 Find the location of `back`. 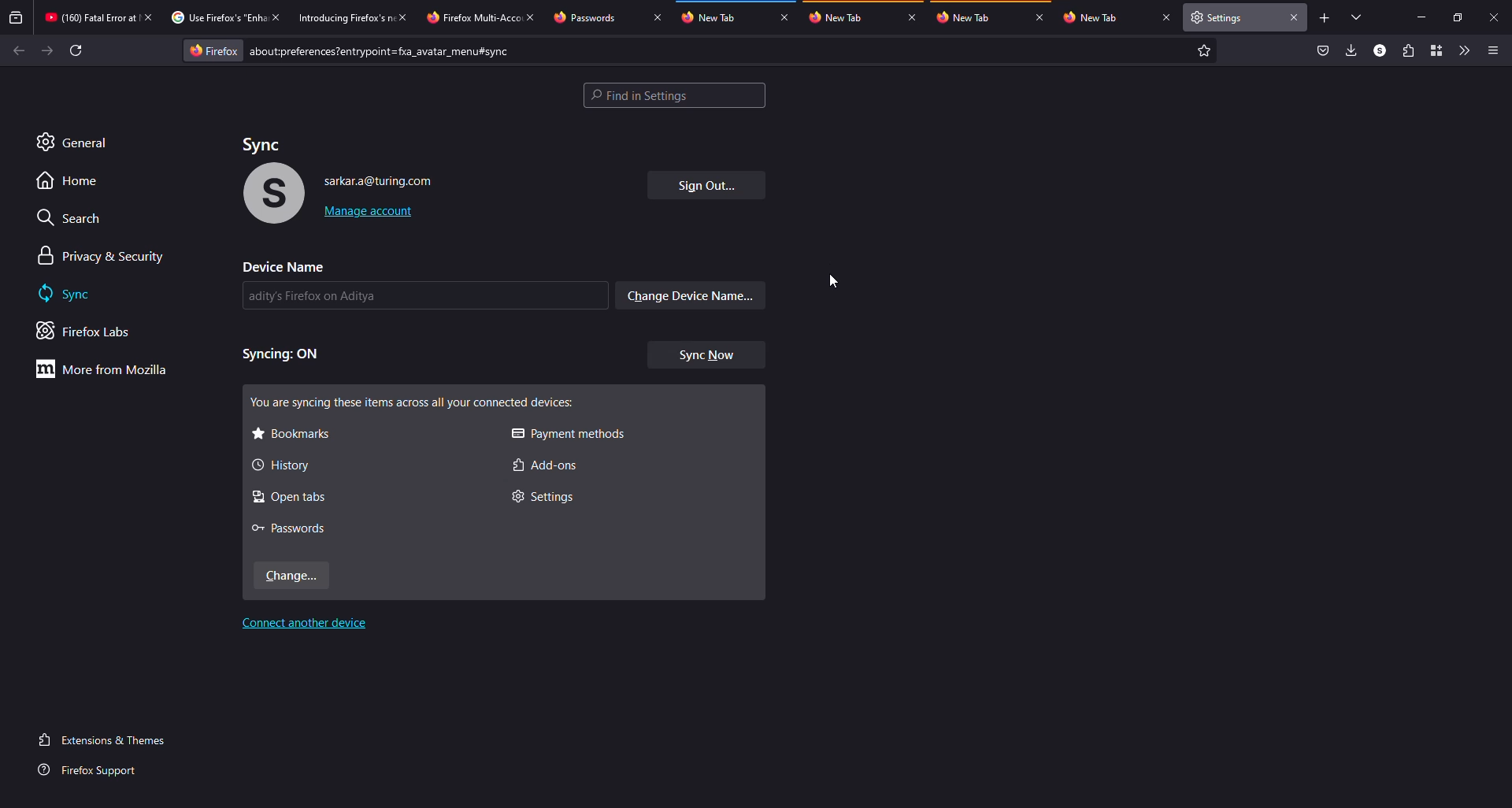

back is located at coordinates (18, 51).